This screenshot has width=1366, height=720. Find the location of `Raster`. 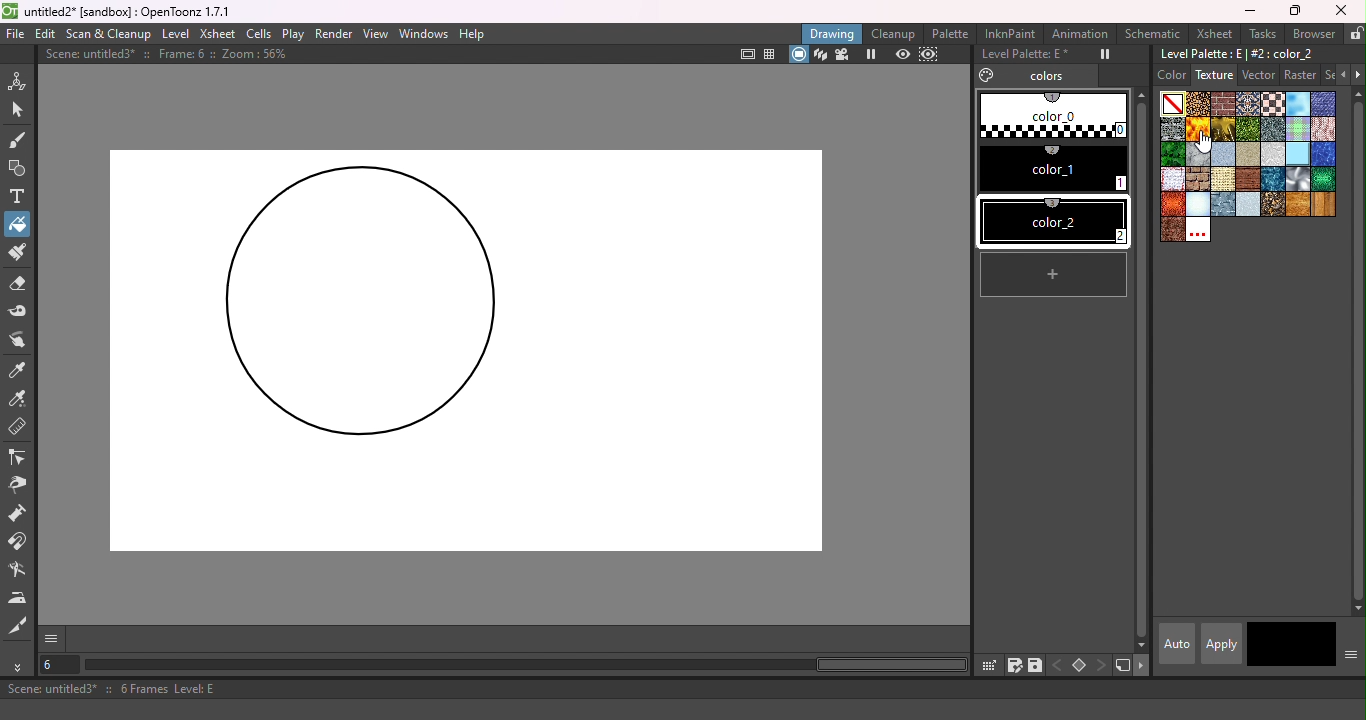

Raster is located at coordinates (1301, 75).